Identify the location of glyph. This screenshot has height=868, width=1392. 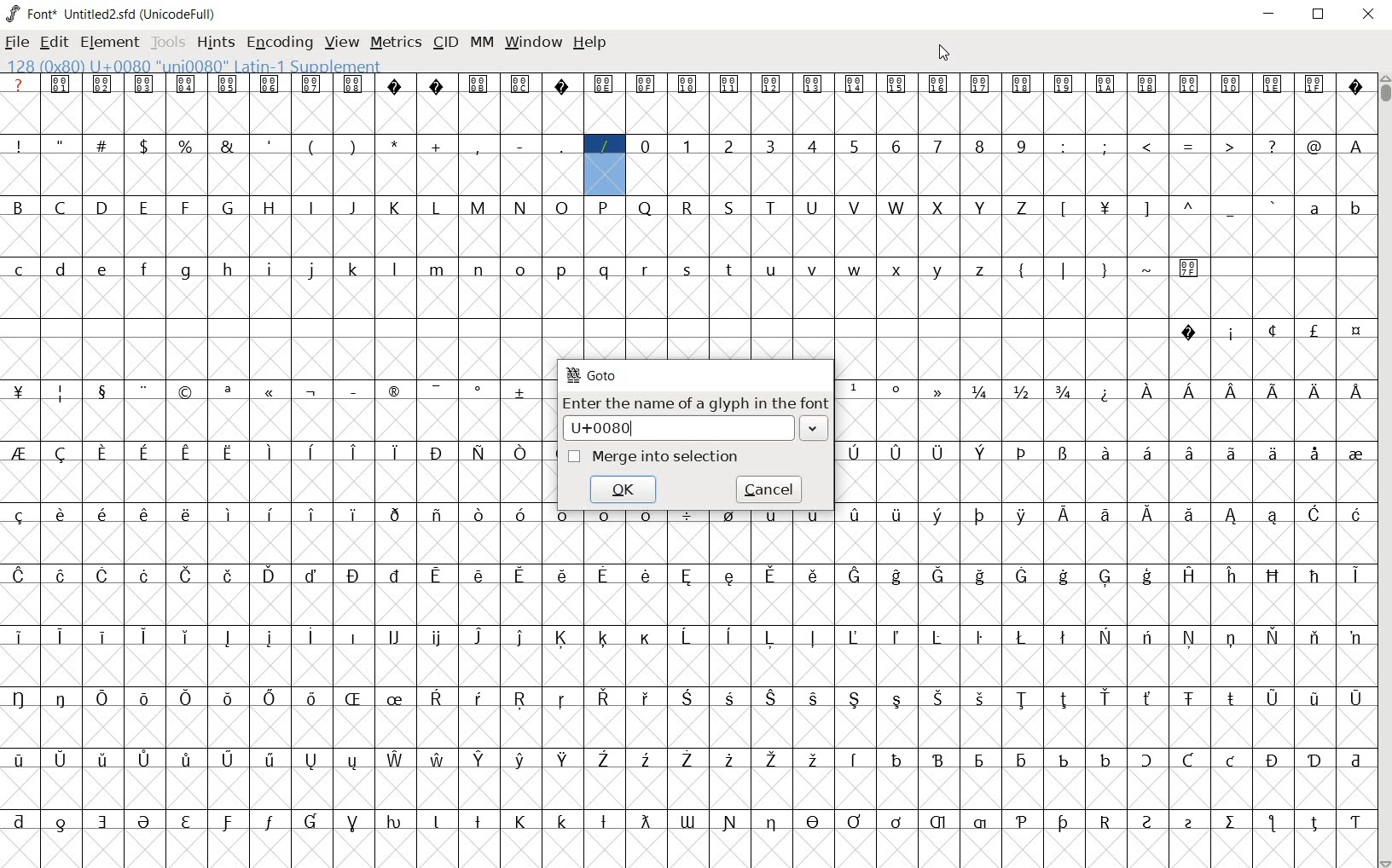
(562, 821).